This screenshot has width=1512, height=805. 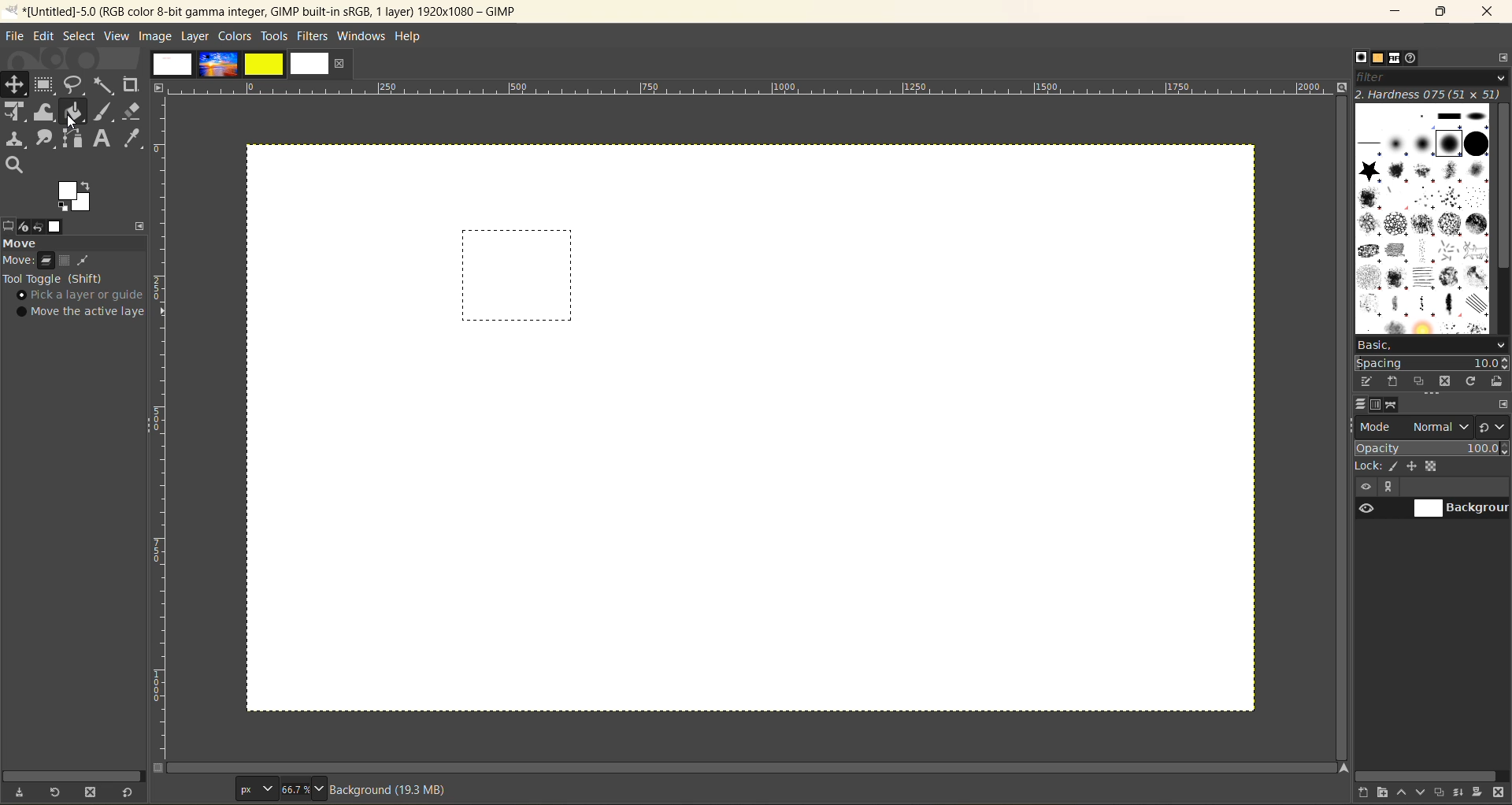 What do you see at coordinates (1405, 792) in the screenshot?
I see `raise this layer` at bounding box center [1405, 792].